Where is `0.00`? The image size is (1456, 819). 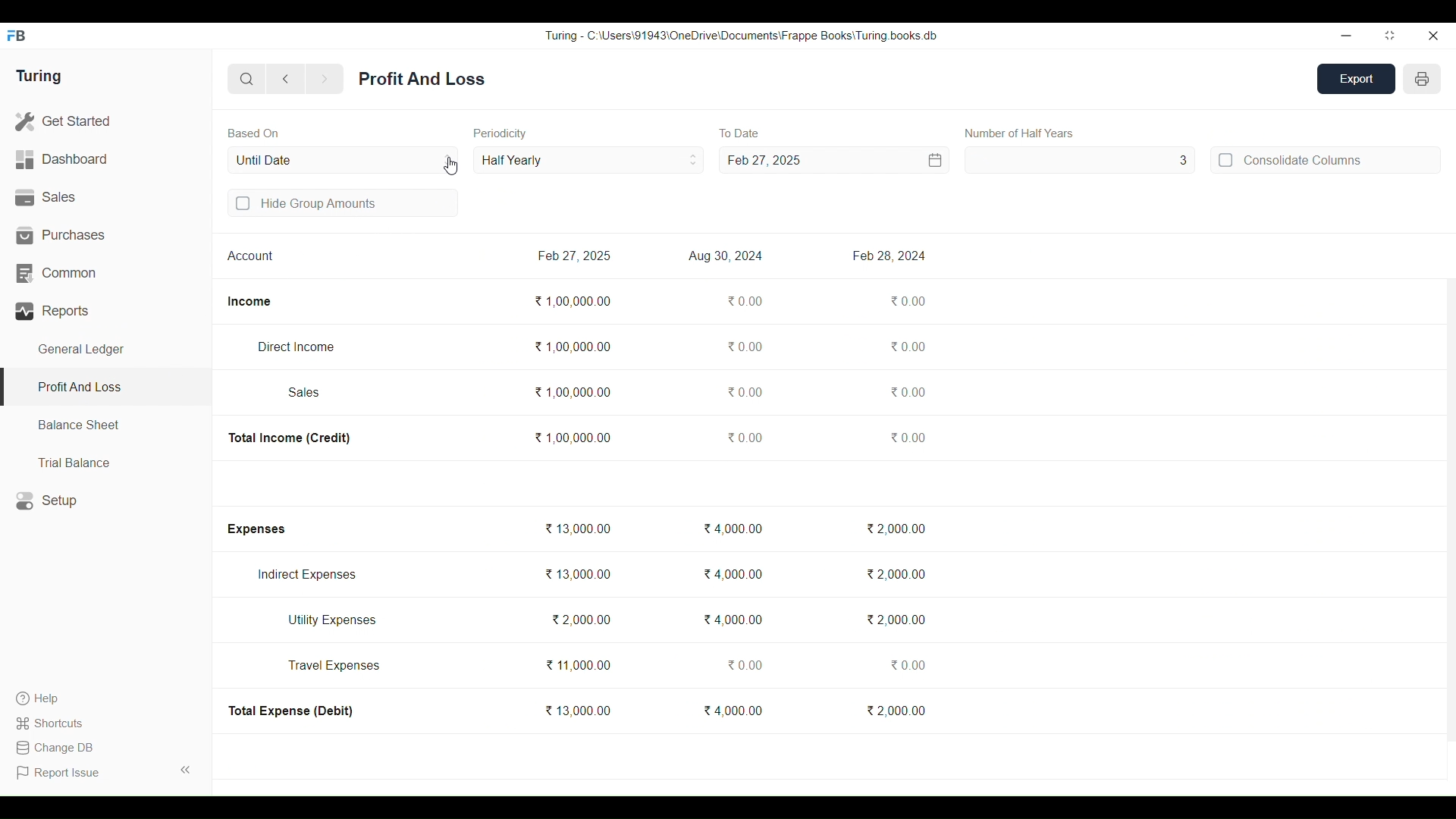 0.00 is located at coordinates (907, 347).